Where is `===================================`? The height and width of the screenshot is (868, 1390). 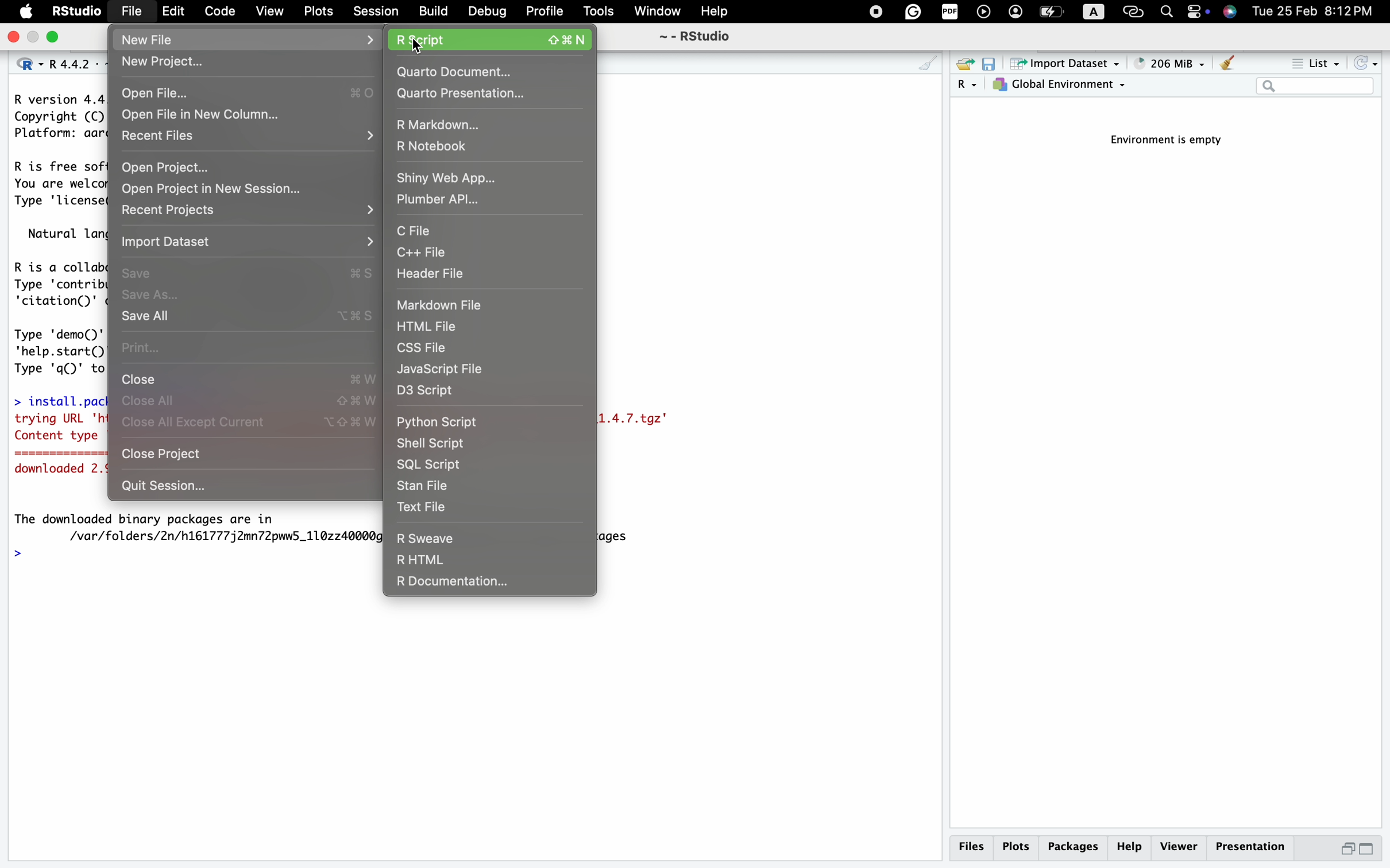 =================================== is located at coordinates (53, 455).